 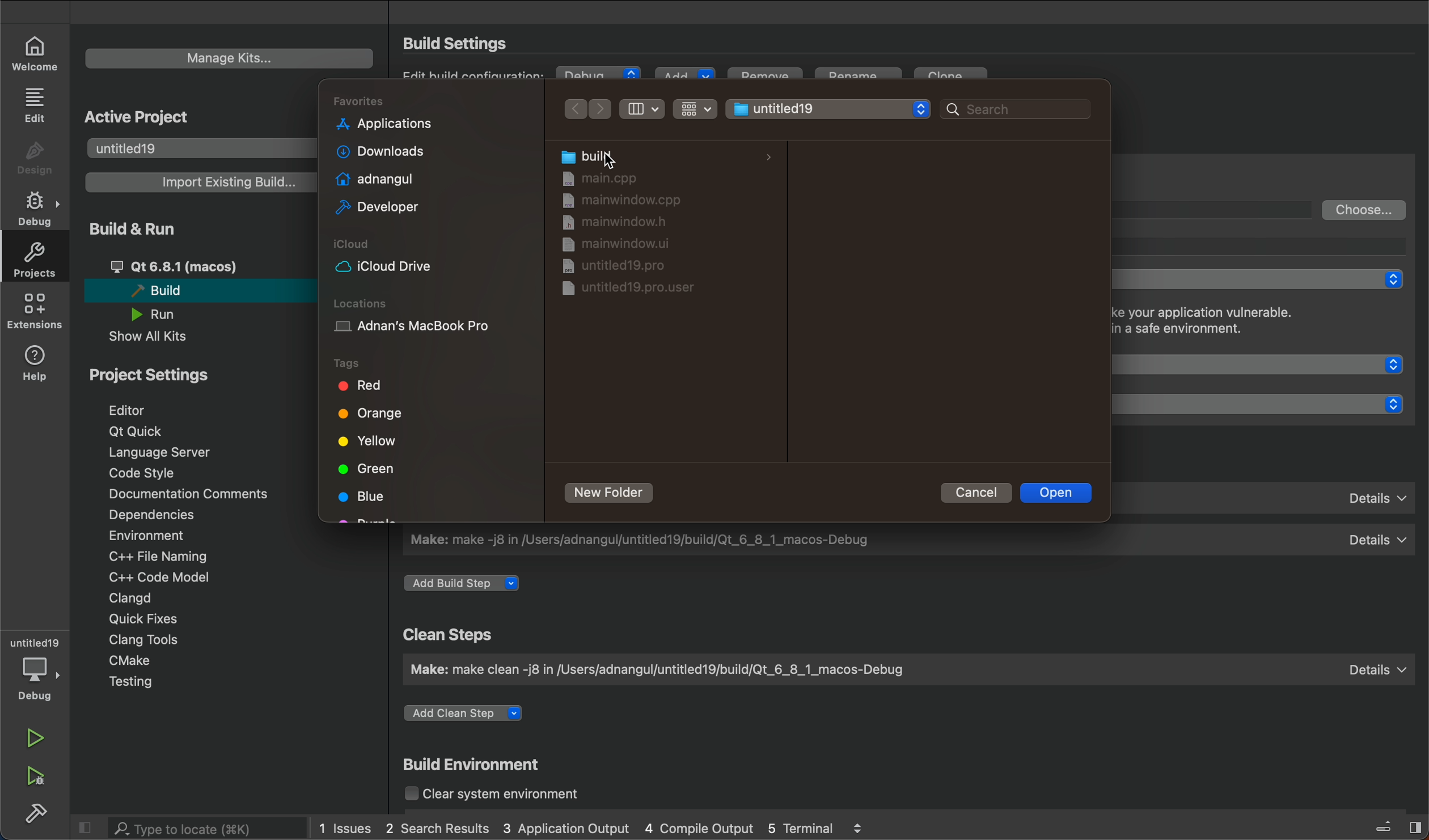 I want to click on build, so click(x=194, y=290).